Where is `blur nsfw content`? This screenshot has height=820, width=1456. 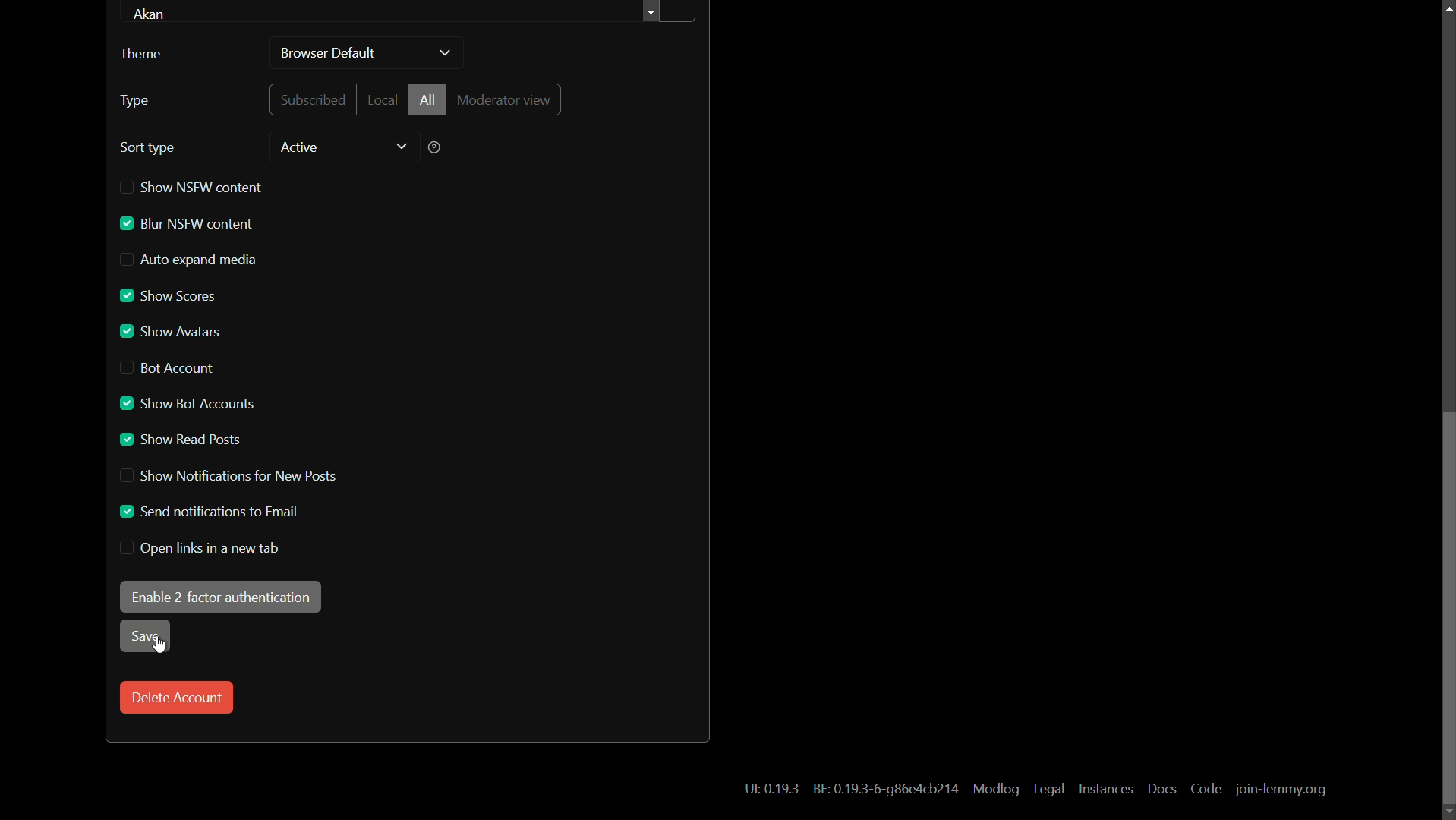 blur nsfw content is located at coordinates (187, 224).